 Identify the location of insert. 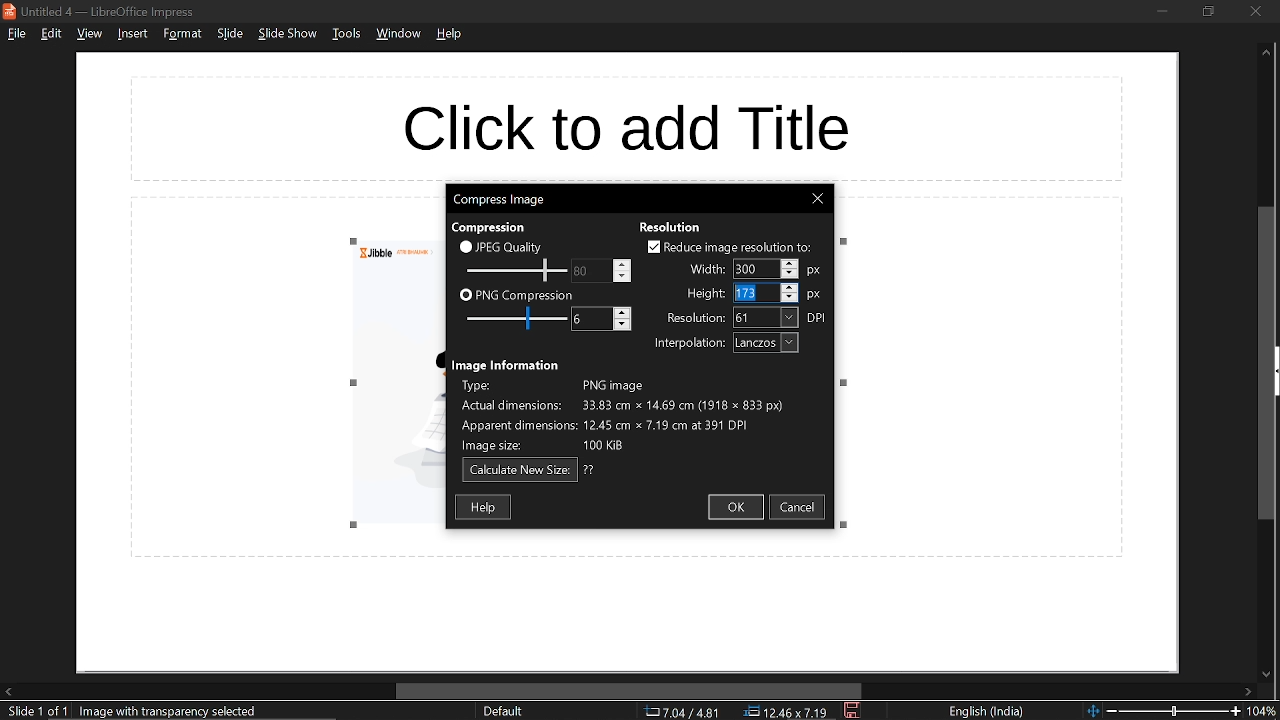
(134, 34).